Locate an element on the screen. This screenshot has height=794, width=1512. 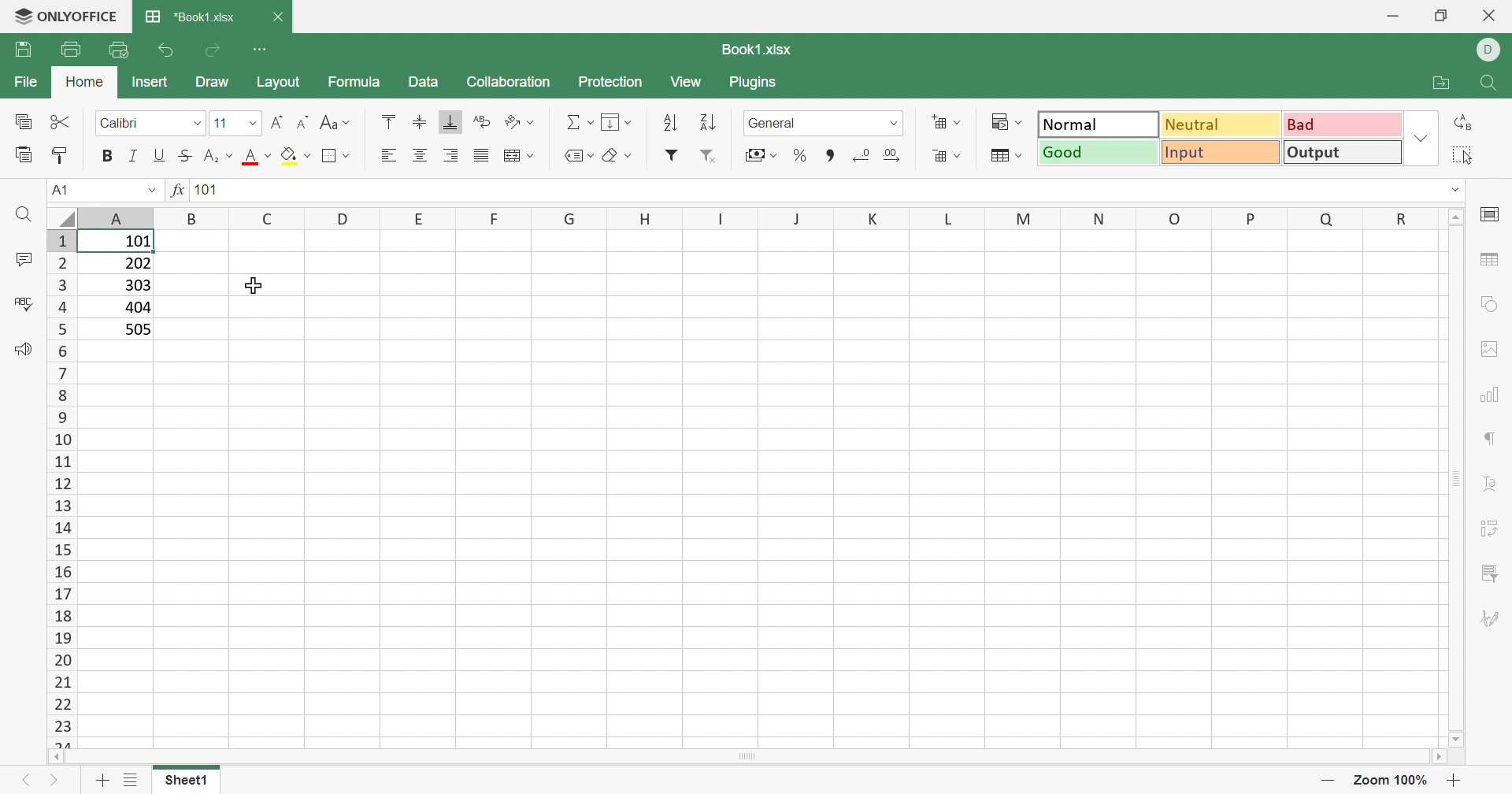
Increment font size is located at coordinates (275, 118).